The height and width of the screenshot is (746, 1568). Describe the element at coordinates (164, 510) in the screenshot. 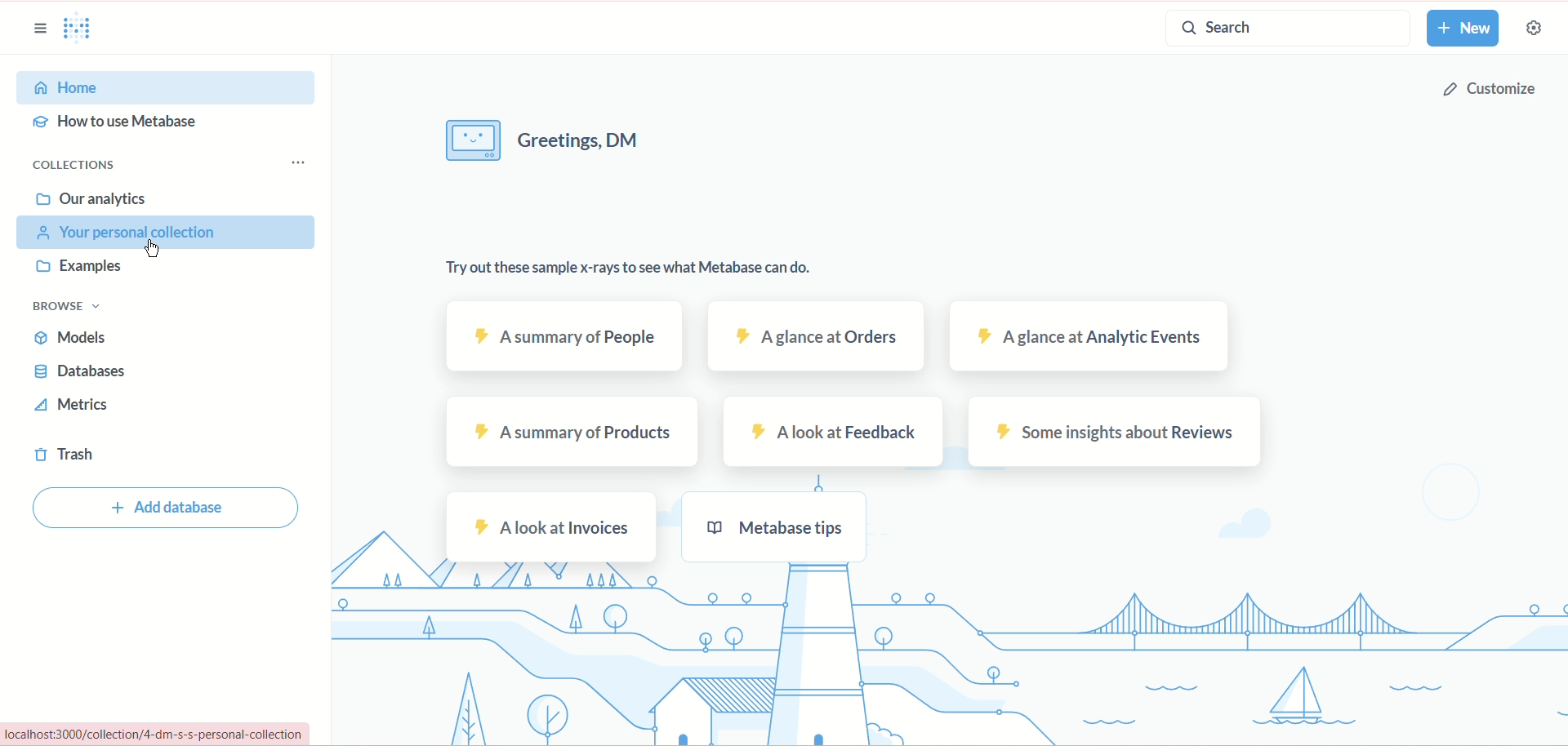

I see `Add database` at that location.